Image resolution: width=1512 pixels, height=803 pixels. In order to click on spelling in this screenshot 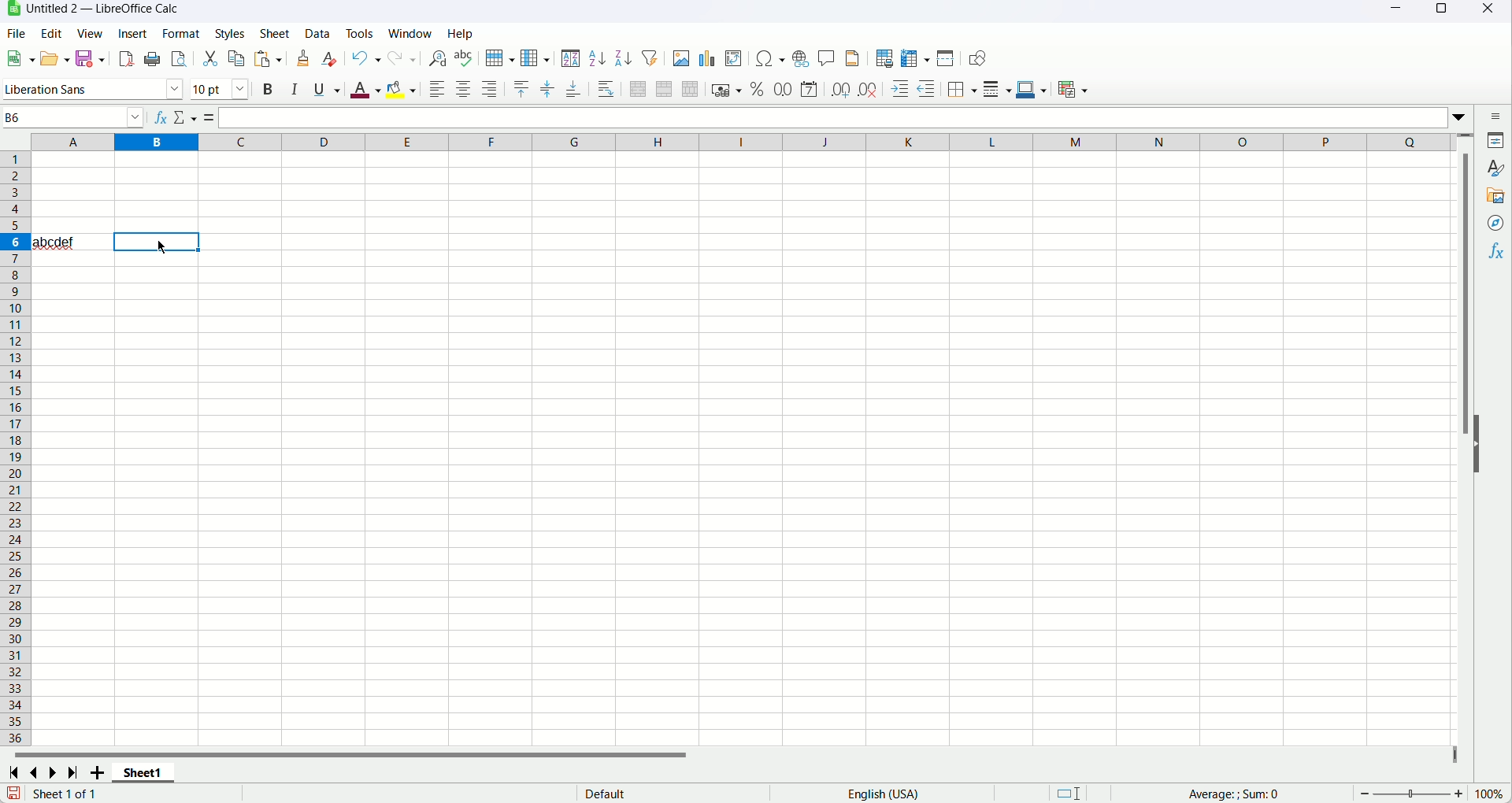, I will do `click(463, 57)`.